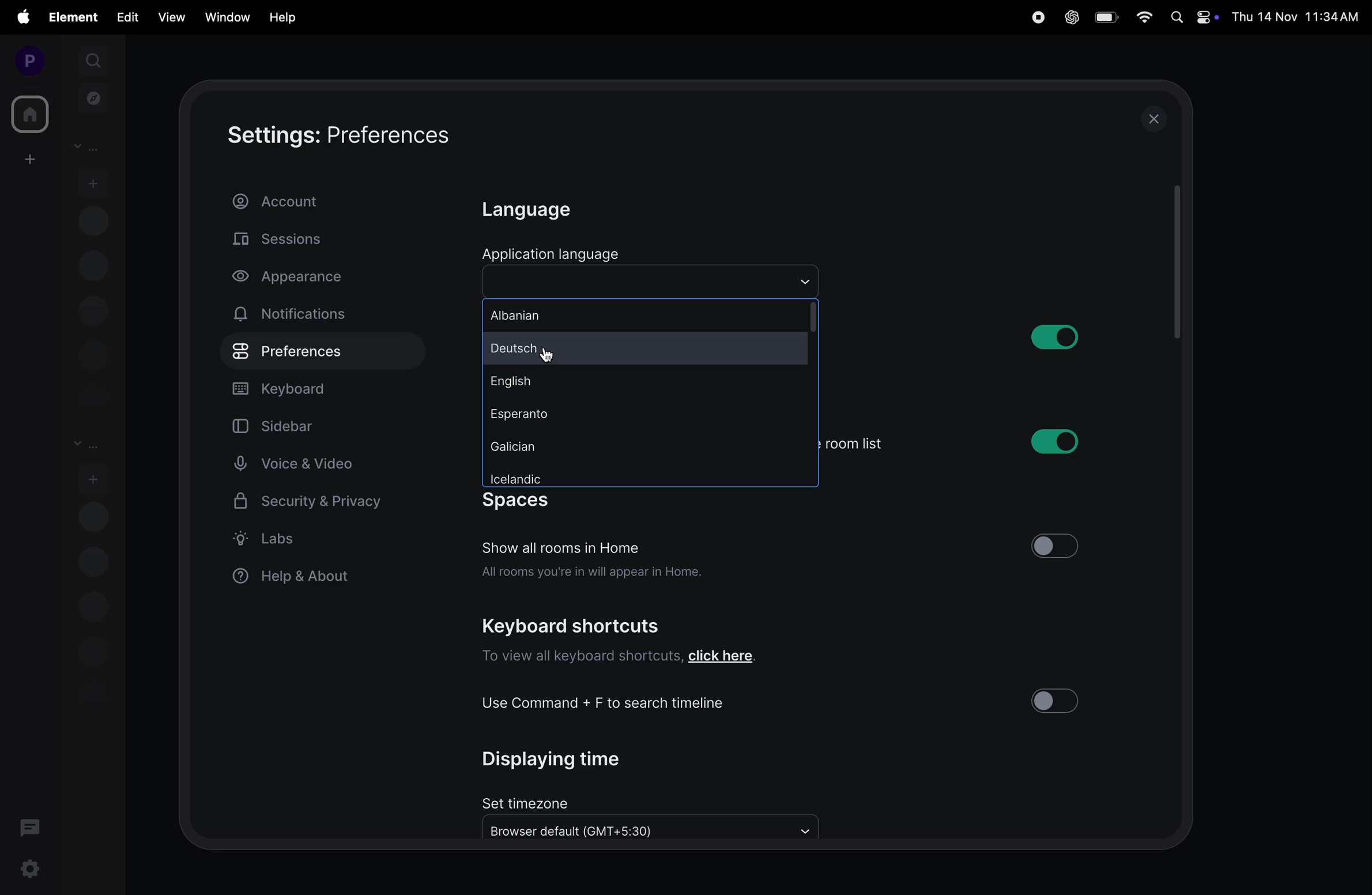 This screenshot has width=1372, height=895. I want to click on application laguage, so click(561, 255).